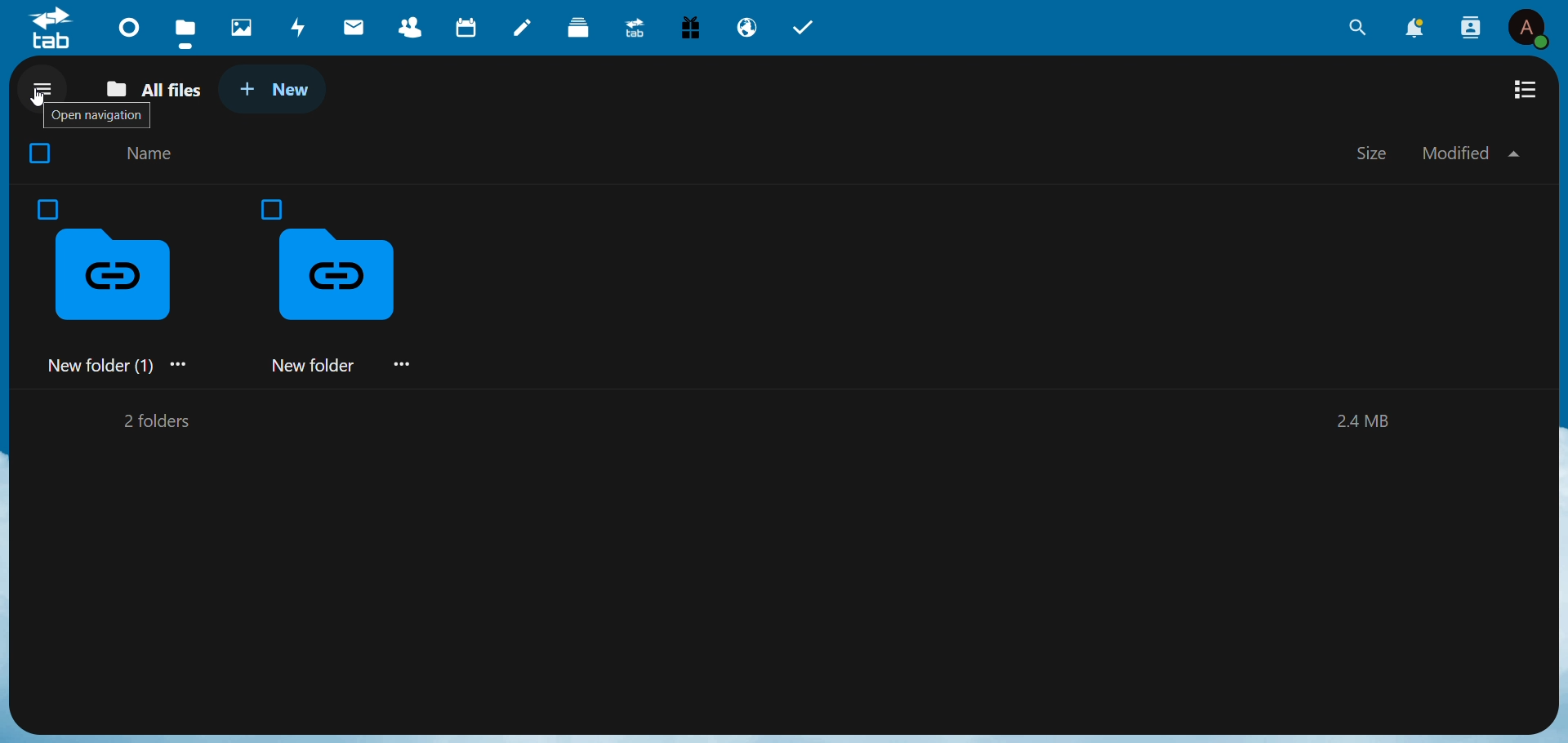 The width and height of the screenshot is (1568, 743). What do you see at coordinates (273, 211) in the screenshot?
I see `checkbox` at bounding box center [273, 211].